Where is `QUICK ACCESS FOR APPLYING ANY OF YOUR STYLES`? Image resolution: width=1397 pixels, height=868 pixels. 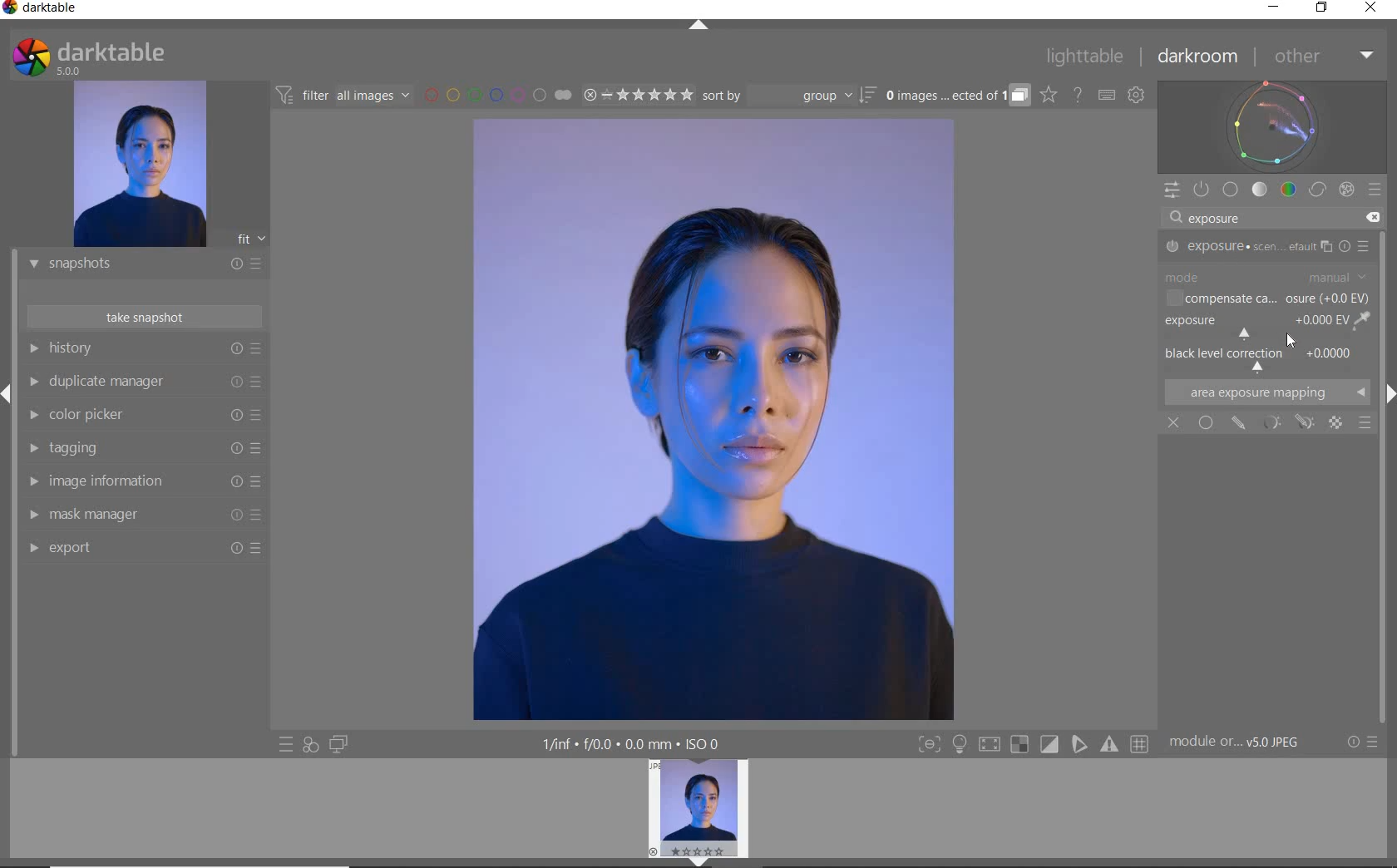 QUICK ACCESS FOR APPLYING ANY OF YOUR STYLES is located at coordinates (309, 744).